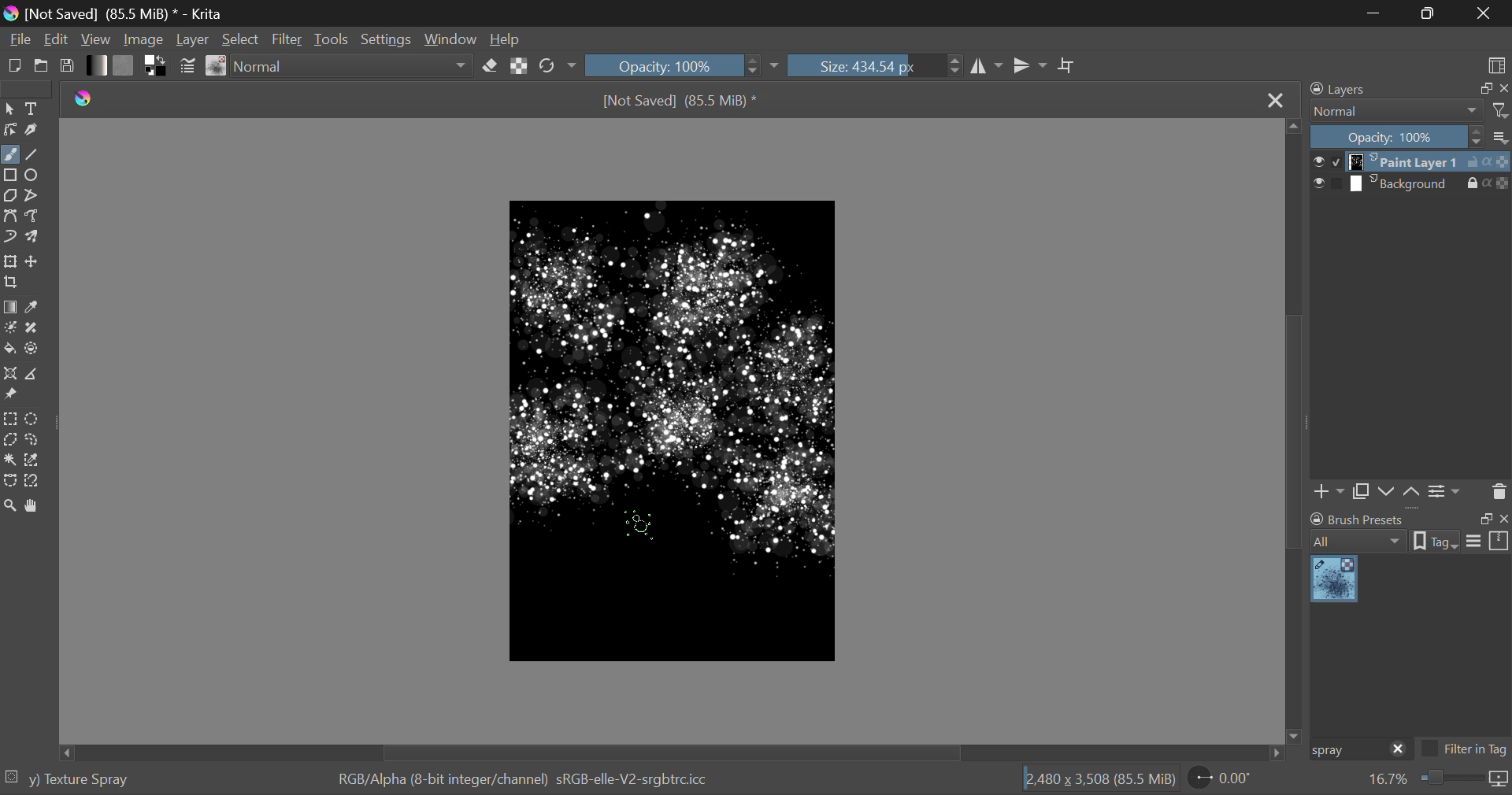  Describe the element at coordinates (1275, 102) in the screenshot. I see `Close` at that location.